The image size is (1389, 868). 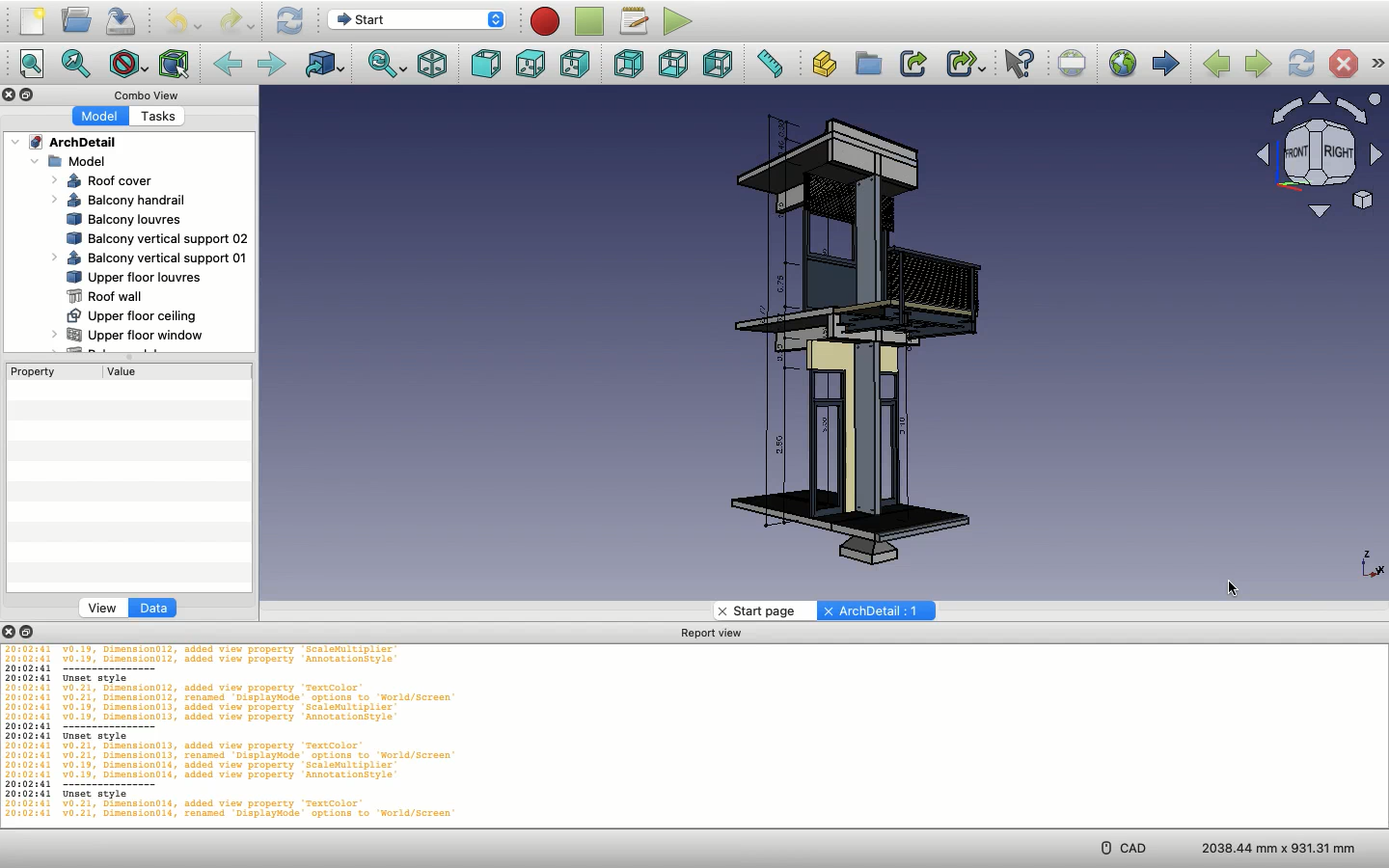 What do you see at coordinates (1376, 64) in the screenshot?
I see `Navigation` at bounding box center [1376, 64].